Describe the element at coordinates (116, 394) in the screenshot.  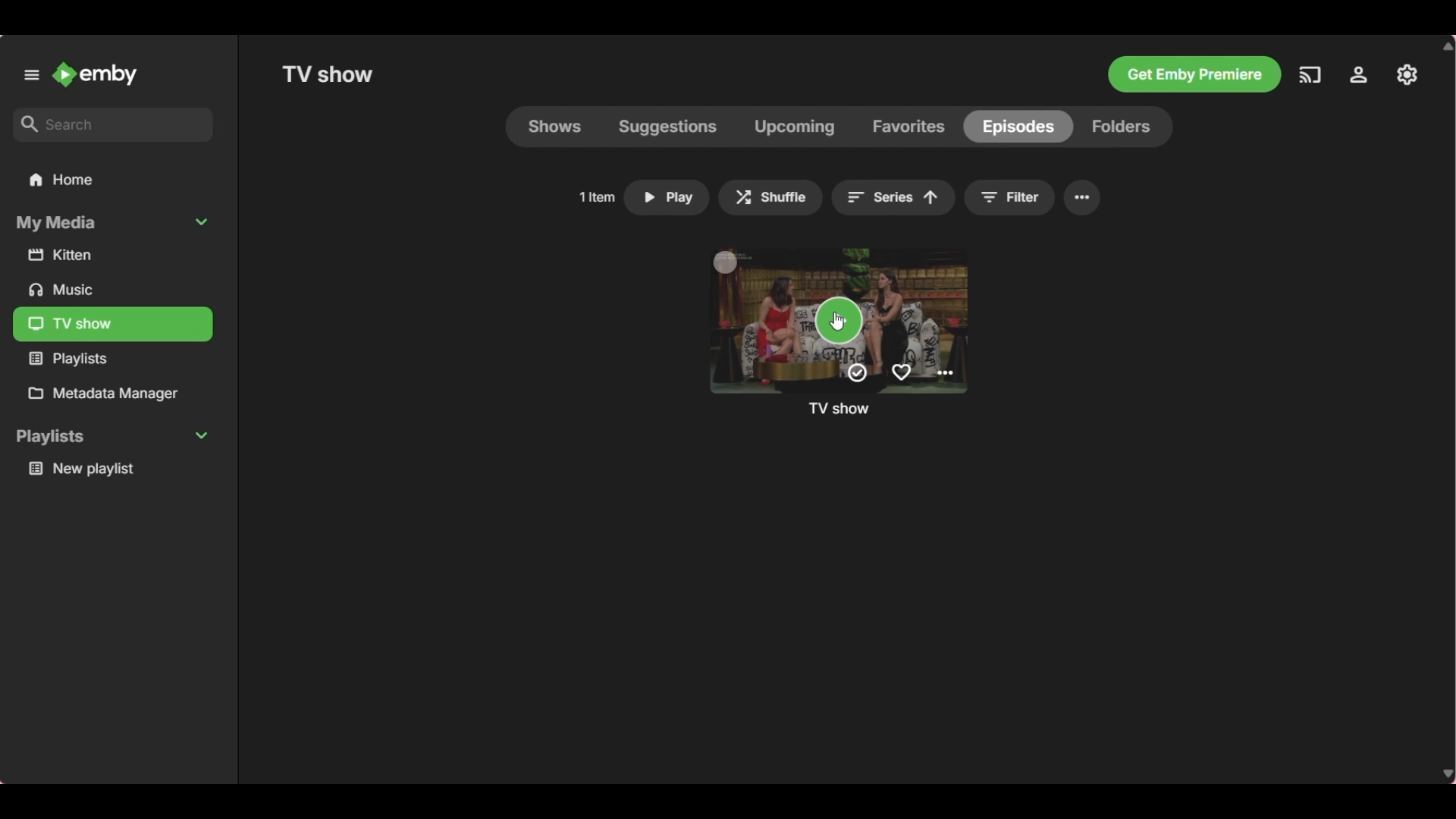
I see `Metadata manager` at that location.